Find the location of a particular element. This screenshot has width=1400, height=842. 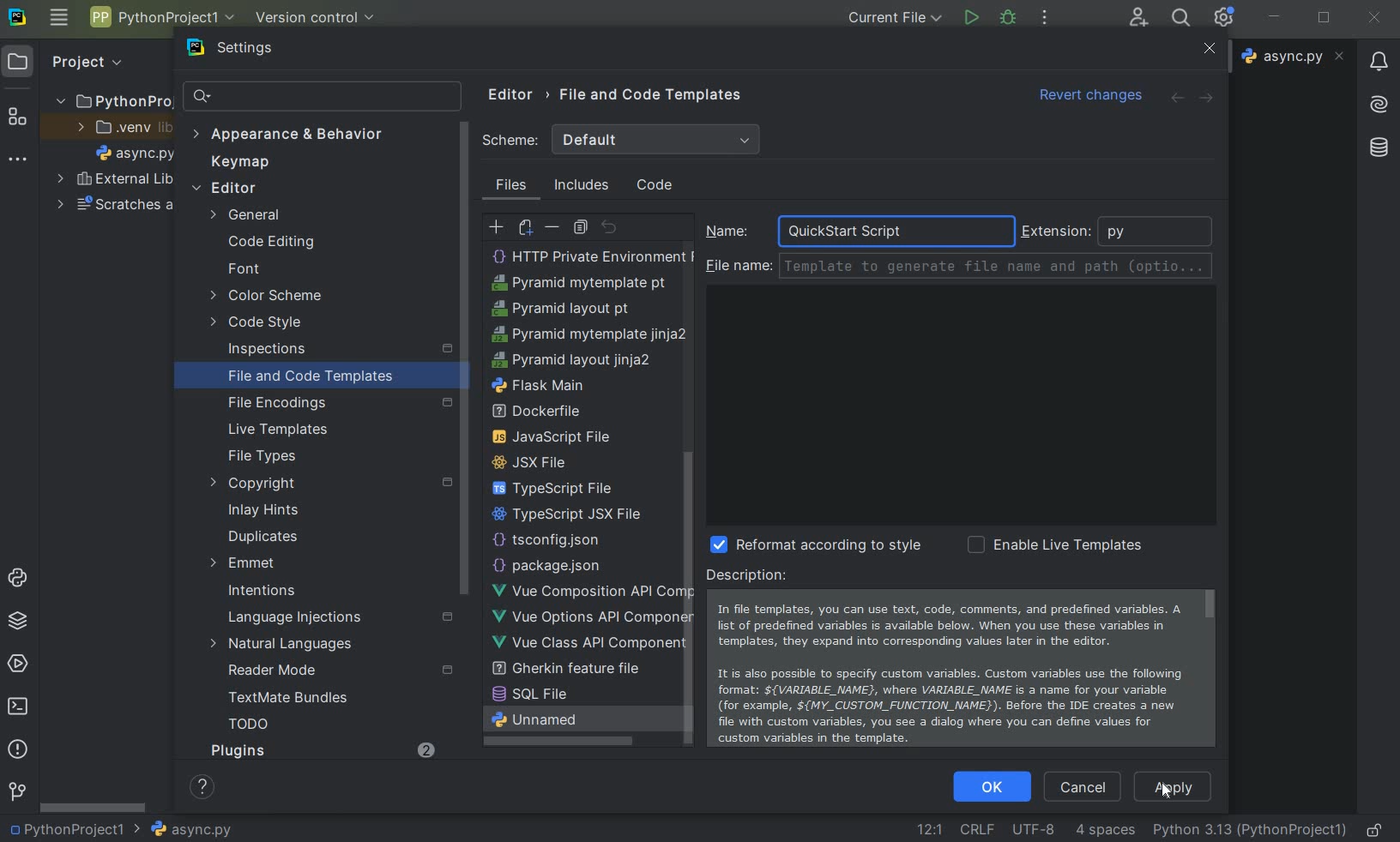

Cursor on apply is located at coordinates (1171, 791).